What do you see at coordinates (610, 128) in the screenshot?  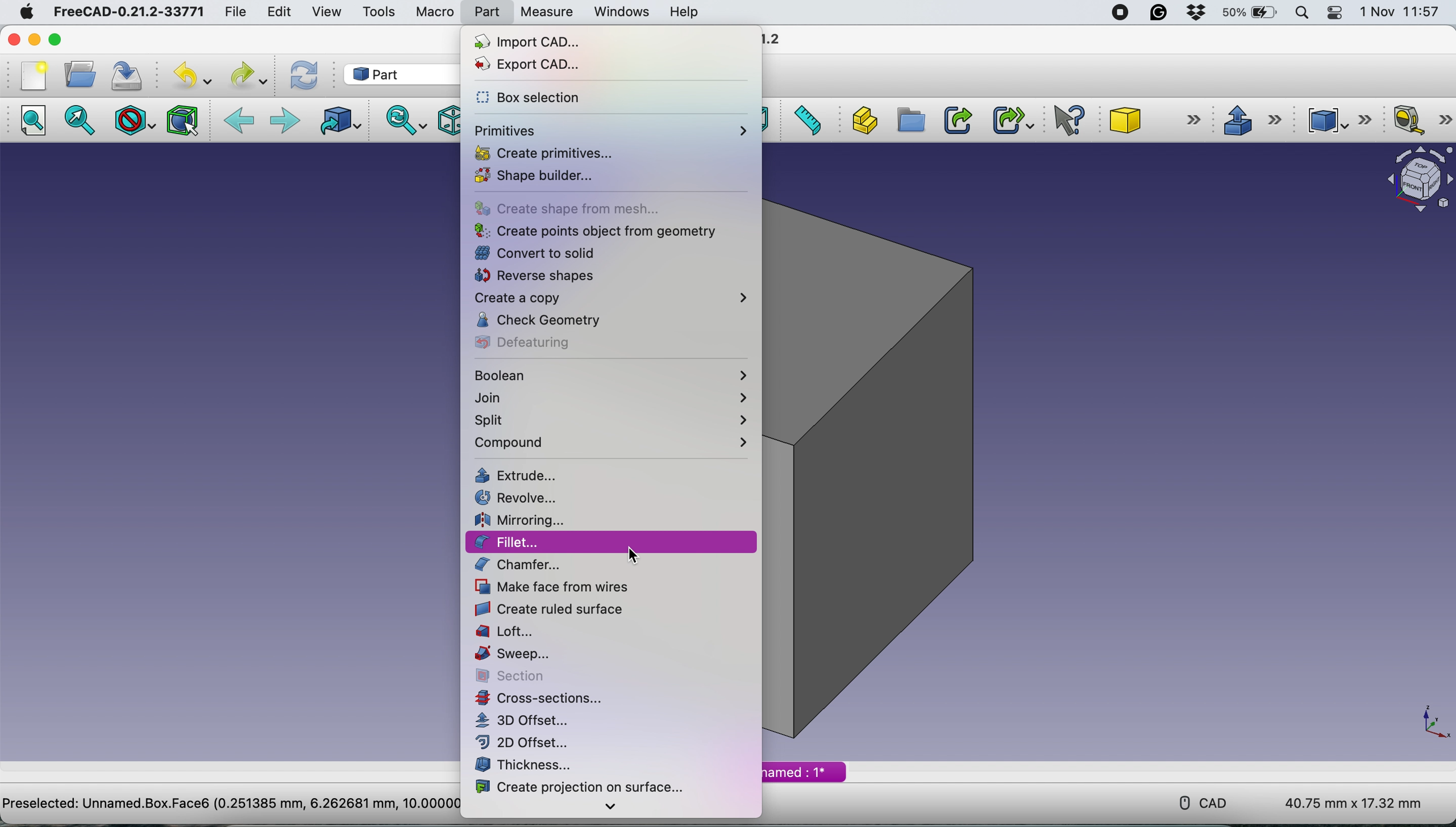 I see `Primitives` at bounding box center [610, 128].